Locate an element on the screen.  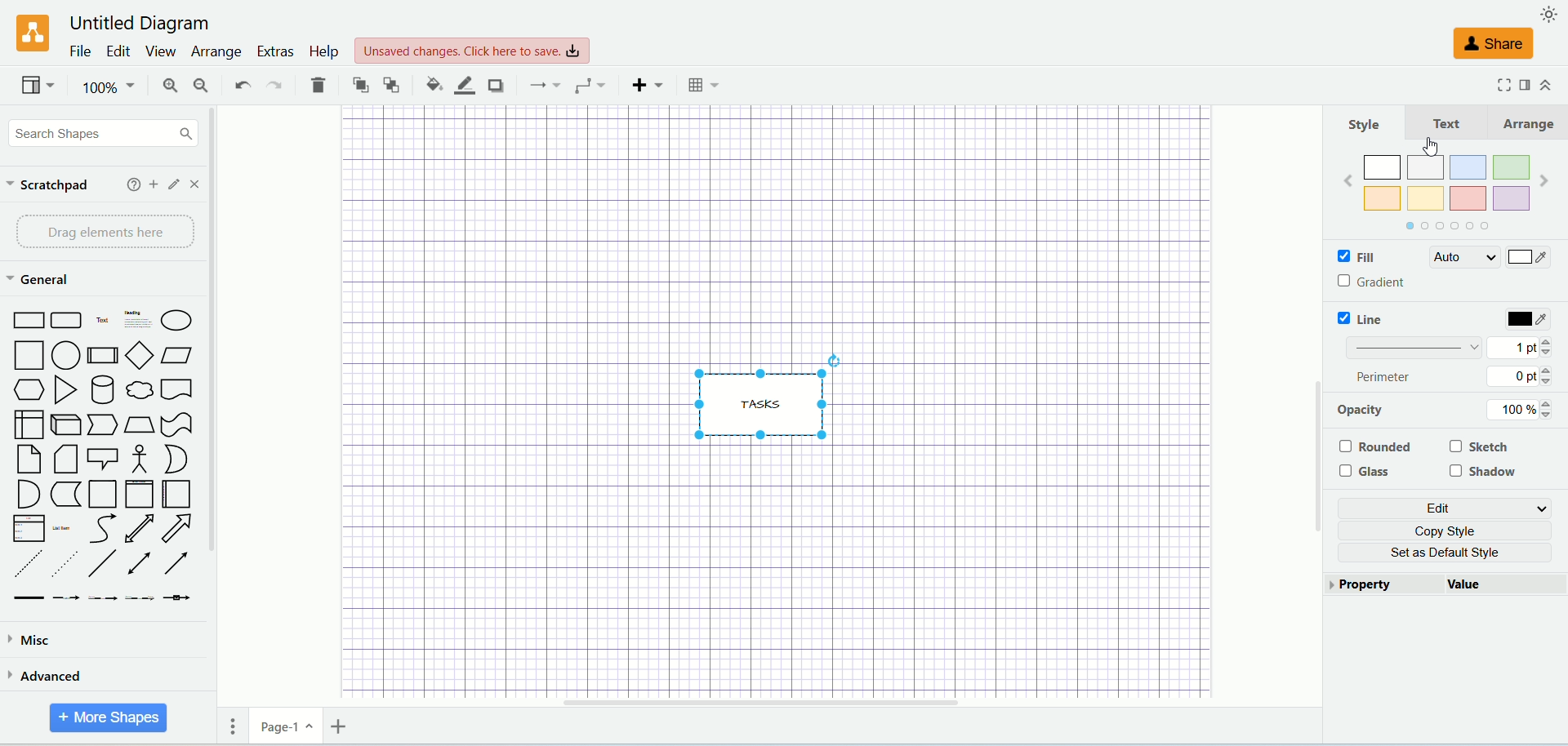
help is located at coordinates (132, 184).